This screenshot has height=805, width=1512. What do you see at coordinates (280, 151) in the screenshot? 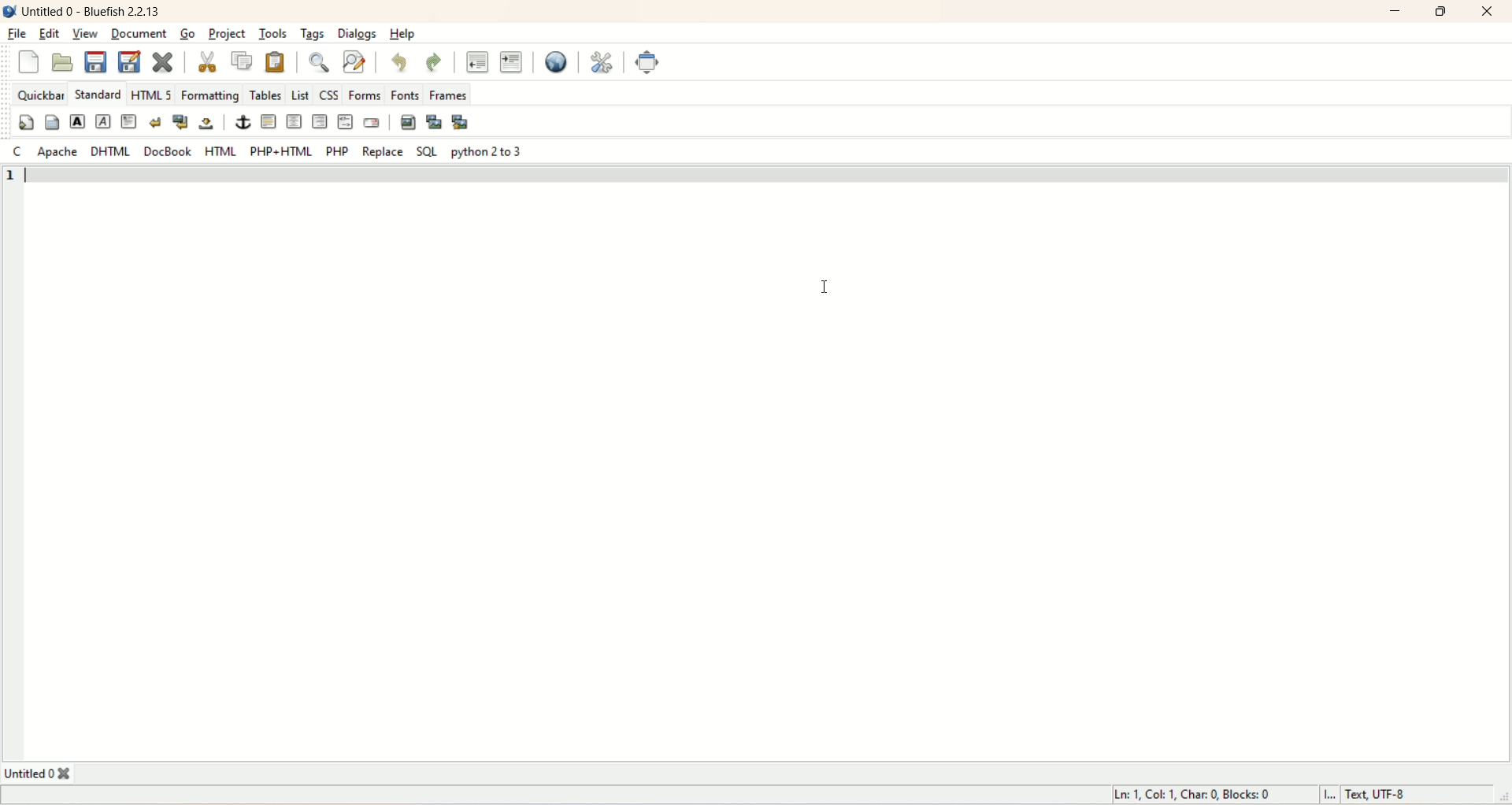
I see `PHP+HTML` at bounding box center [280, 151].